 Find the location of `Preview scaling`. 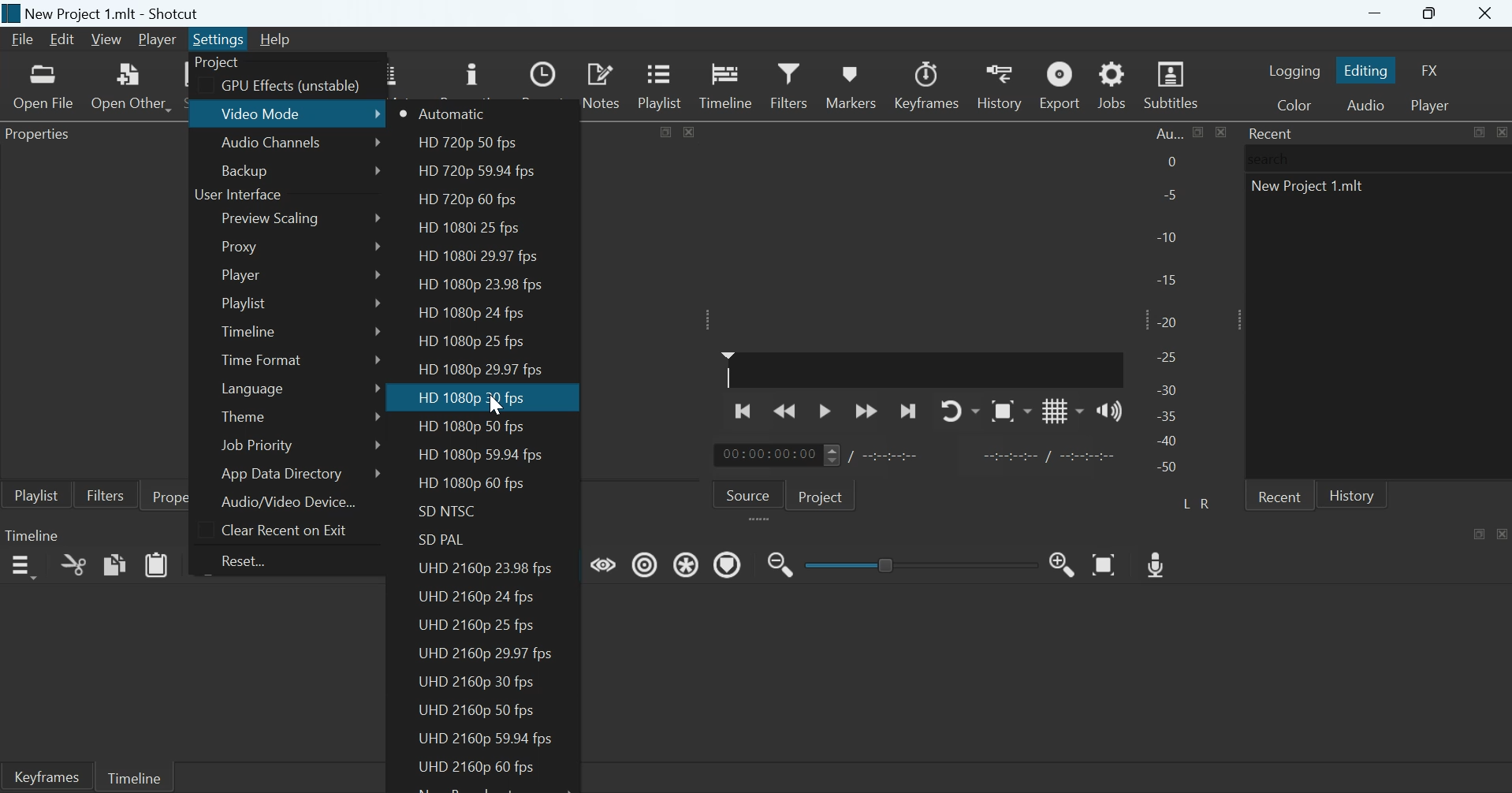

Preview scaling is located at coordinates (274, 219).